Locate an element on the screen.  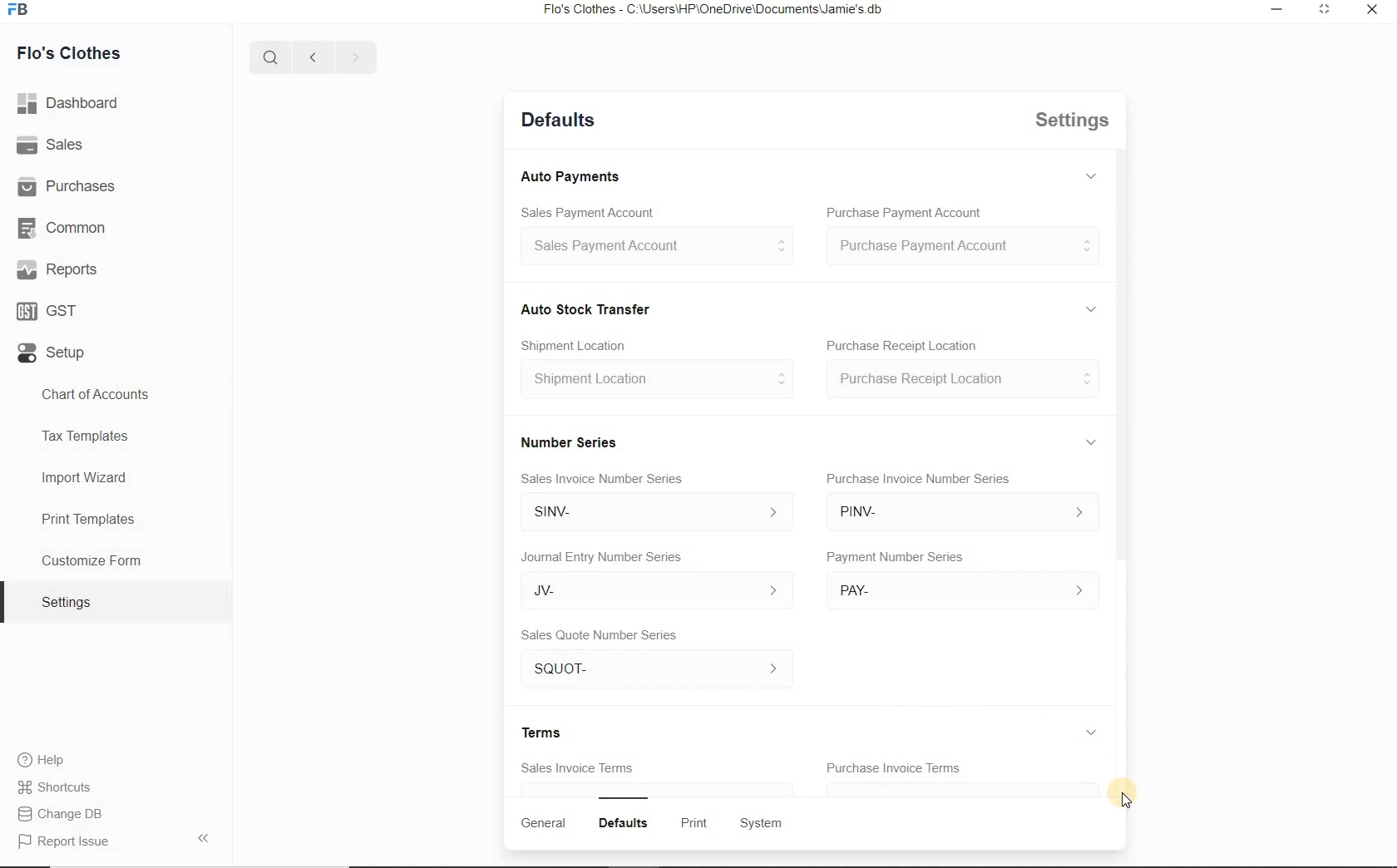
Flo's Clothes is located at coordinates (67, 55).